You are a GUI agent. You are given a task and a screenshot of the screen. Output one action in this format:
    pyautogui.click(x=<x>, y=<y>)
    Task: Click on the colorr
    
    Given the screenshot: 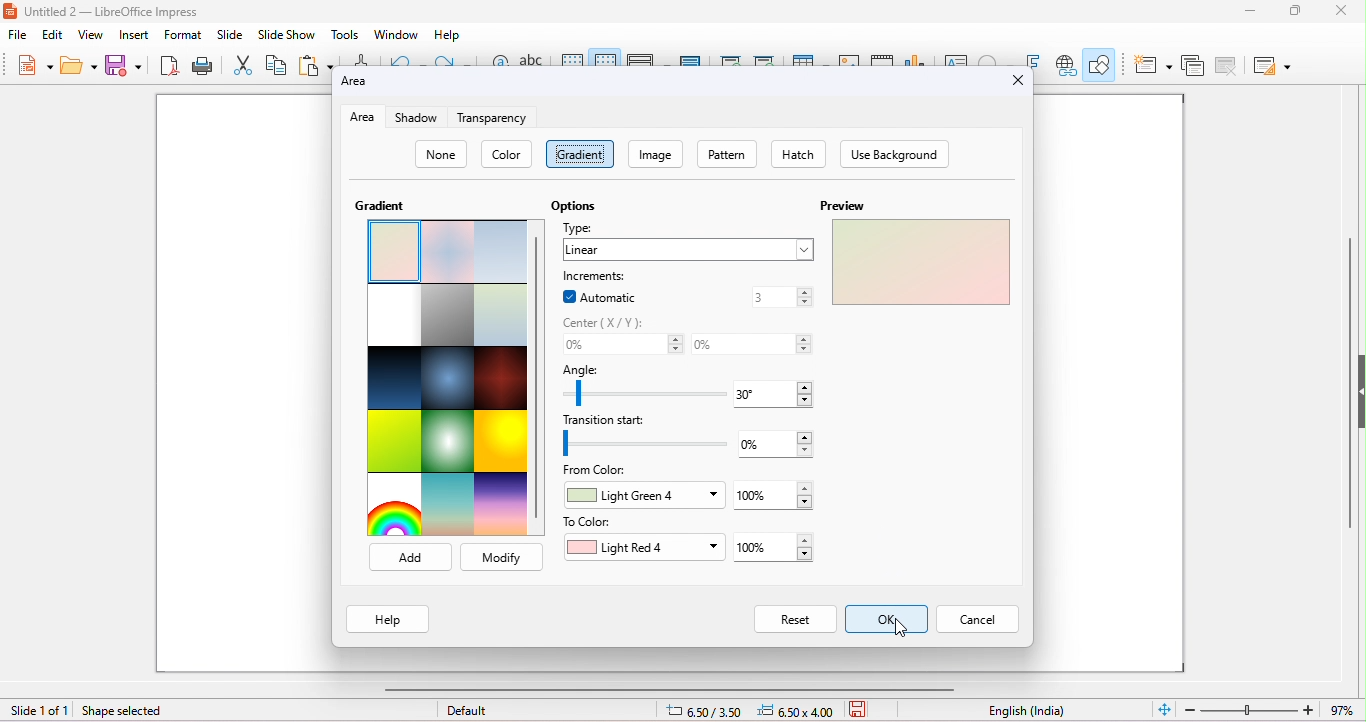 What is the action you would take?
    pyautogui.click(x=508, y=154)
    